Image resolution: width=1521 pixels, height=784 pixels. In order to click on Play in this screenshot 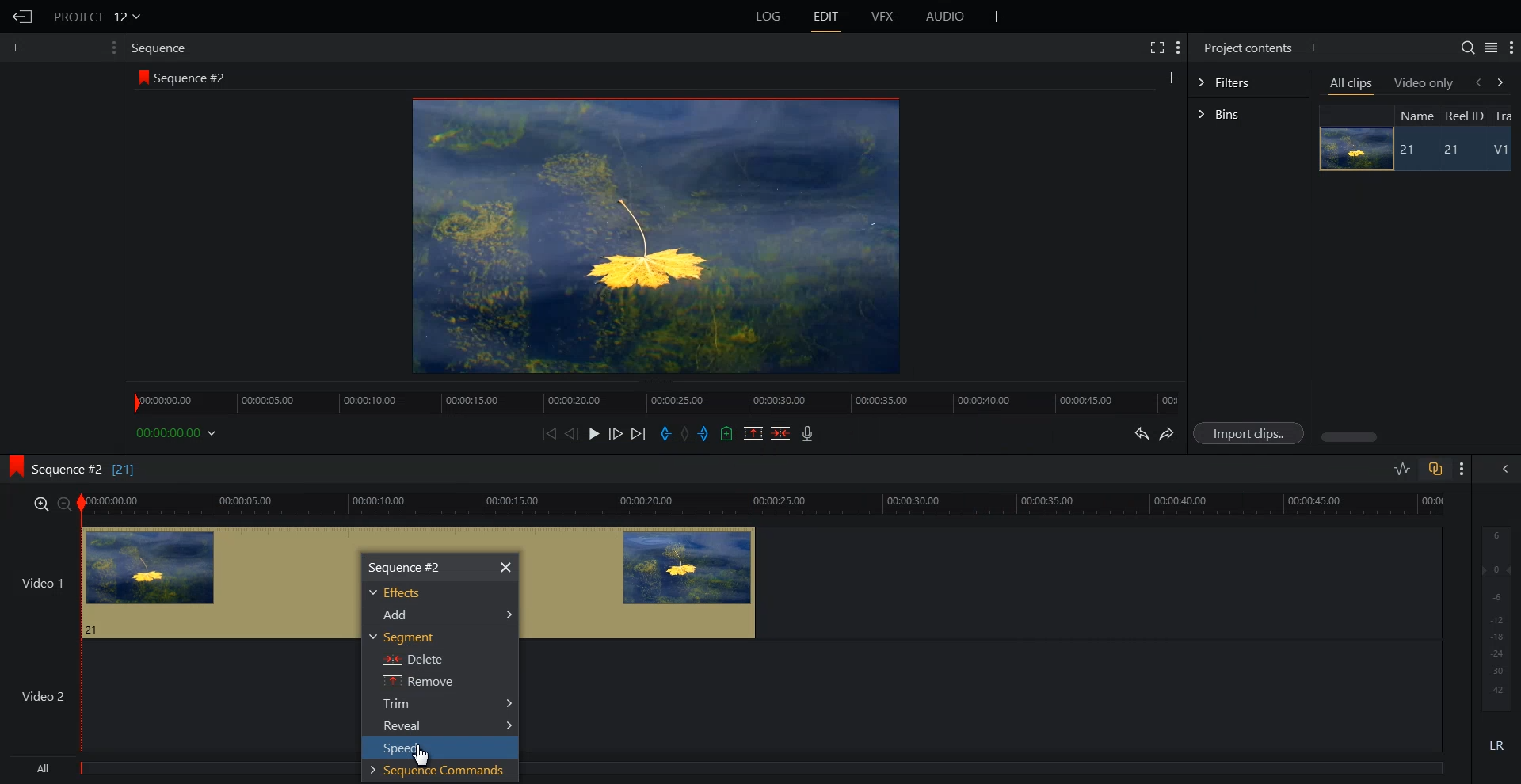, I will do `click(596, 433)`.